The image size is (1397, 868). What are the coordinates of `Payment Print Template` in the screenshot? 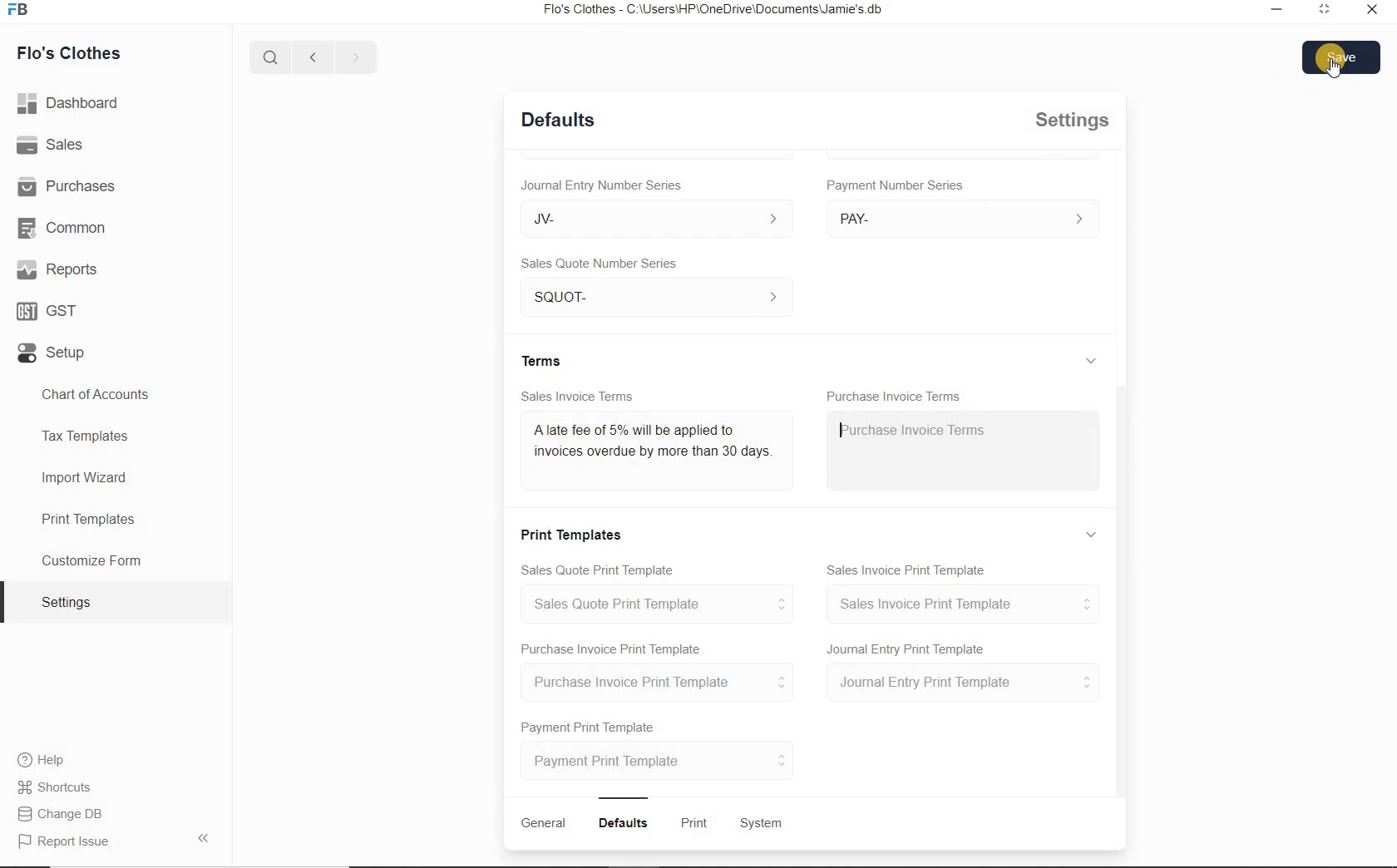 It's located at (659, 760).